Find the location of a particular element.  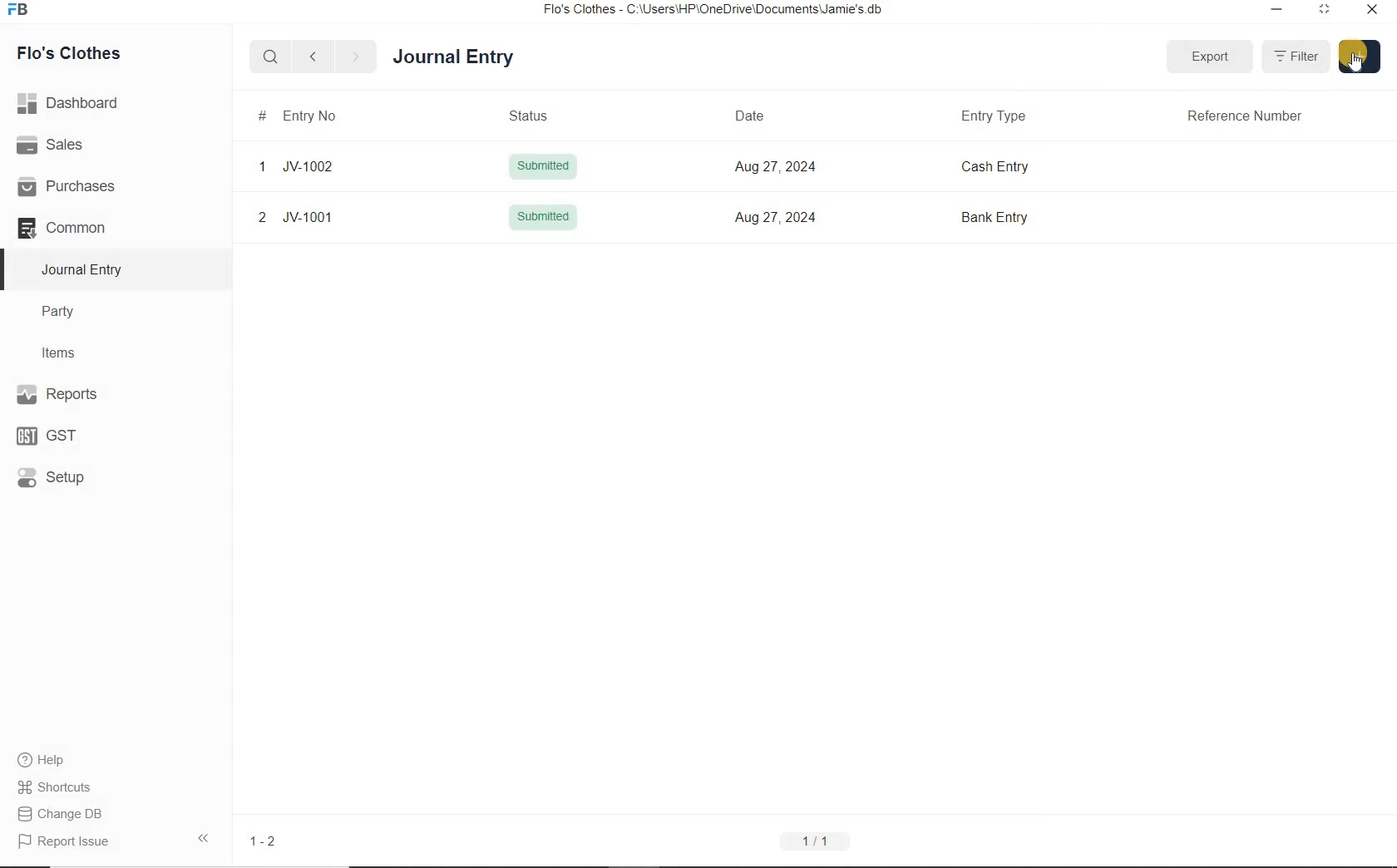

Flo's Clothes is located at coordinates (81, 53).